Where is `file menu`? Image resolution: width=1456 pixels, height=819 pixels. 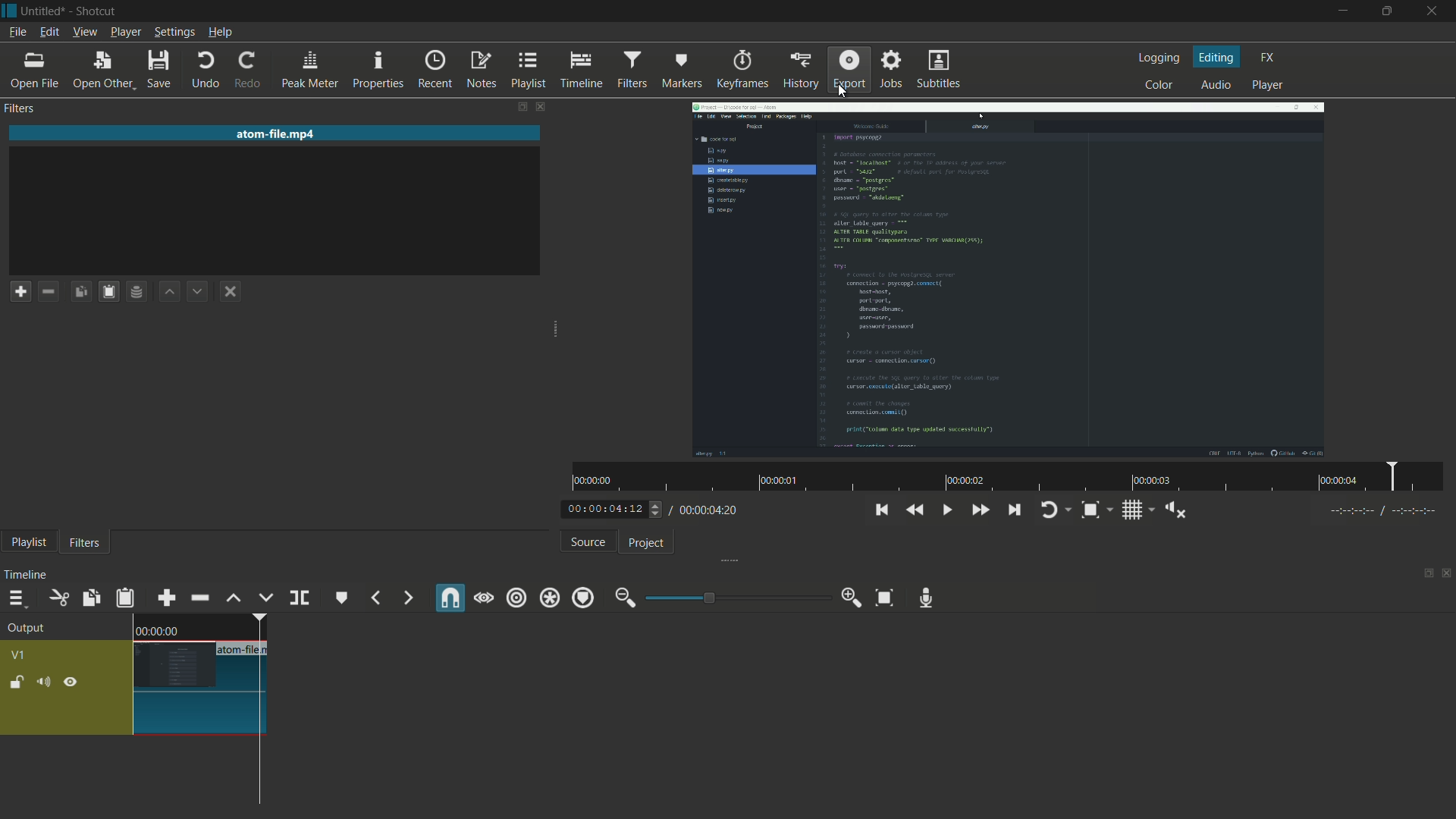 file menu is located at coordinates (17, 32).